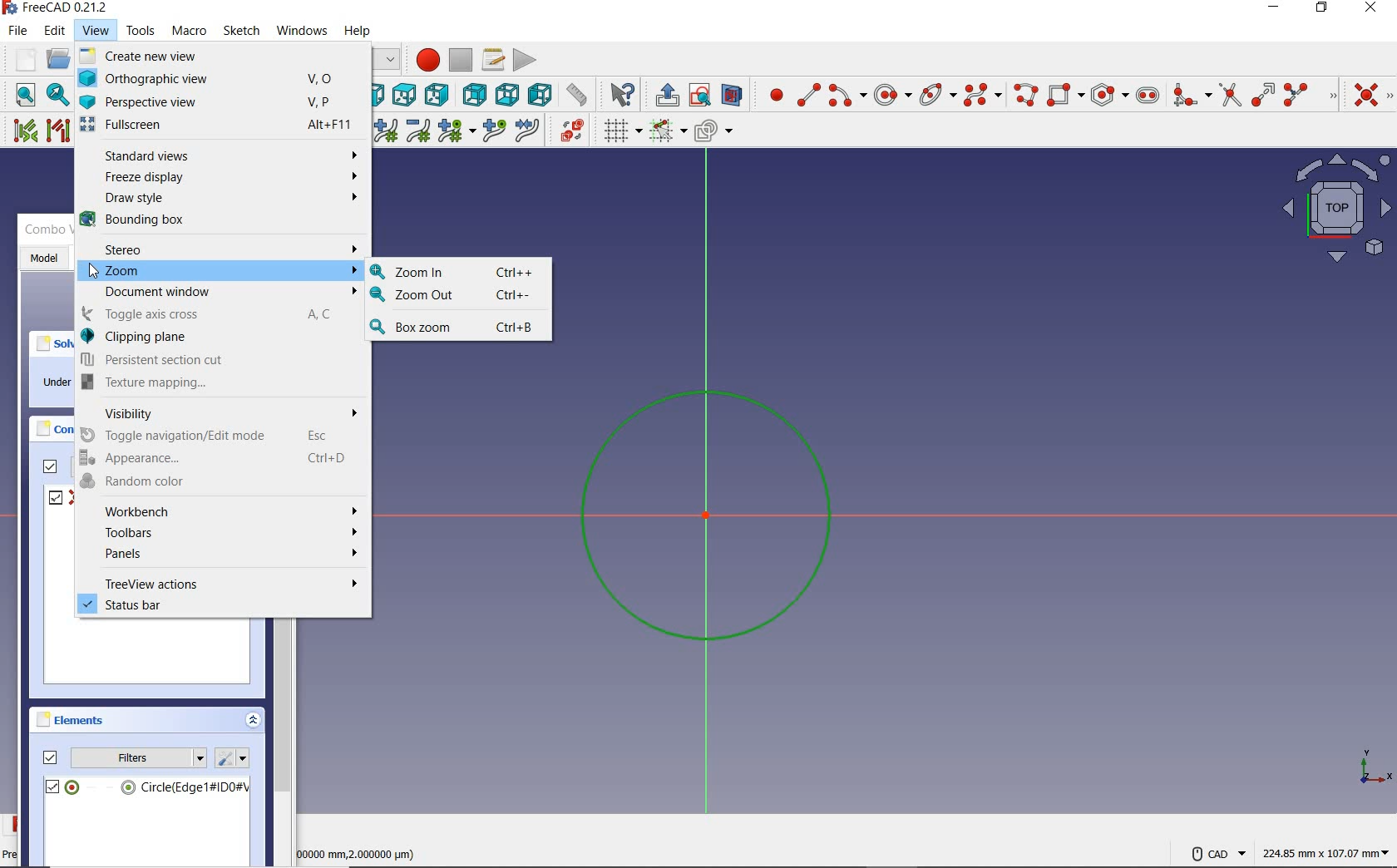 Image resolution: width=1397 pixels, height=868 pixels. What do you see at coordinates (366, 856) in the screenshot?
I see `measuremts` at bounding box center [366, 856].